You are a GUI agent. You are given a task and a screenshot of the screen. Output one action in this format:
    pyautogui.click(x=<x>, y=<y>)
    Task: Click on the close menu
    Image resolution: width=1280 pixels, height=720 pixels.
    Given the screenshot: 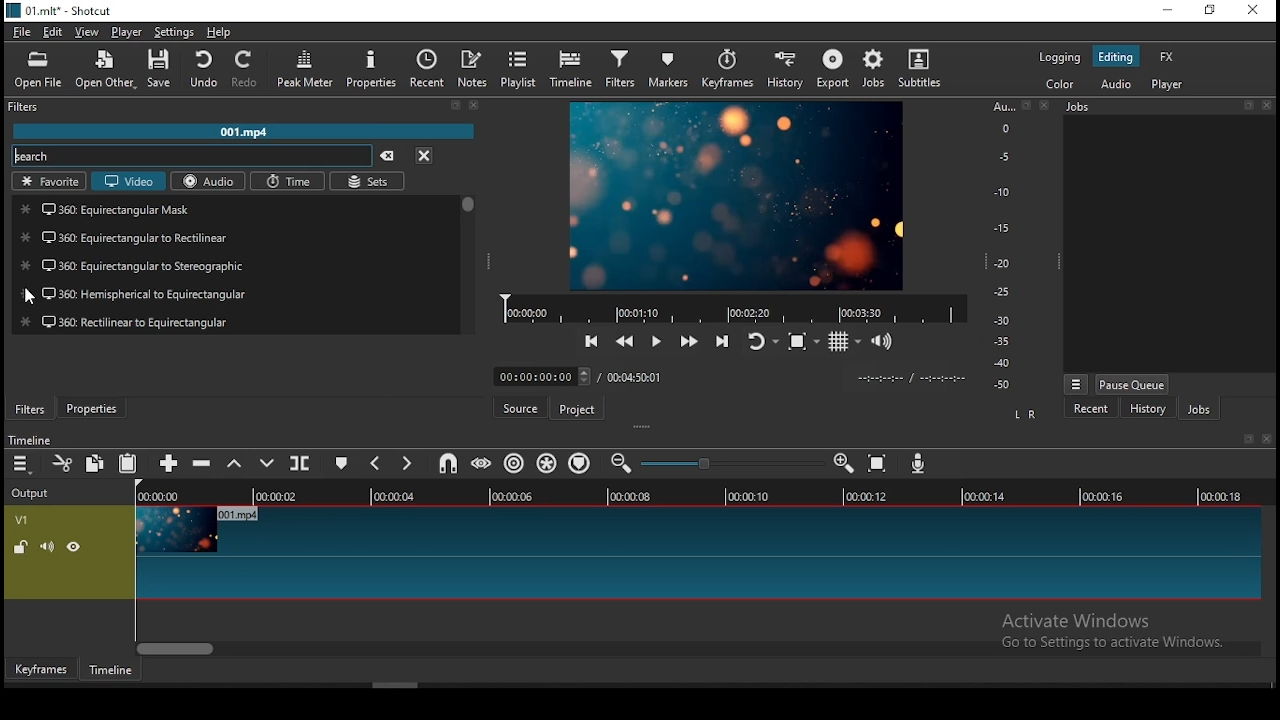 What is the action you would take?
    pyautogui.click(x=423, y=155)
    